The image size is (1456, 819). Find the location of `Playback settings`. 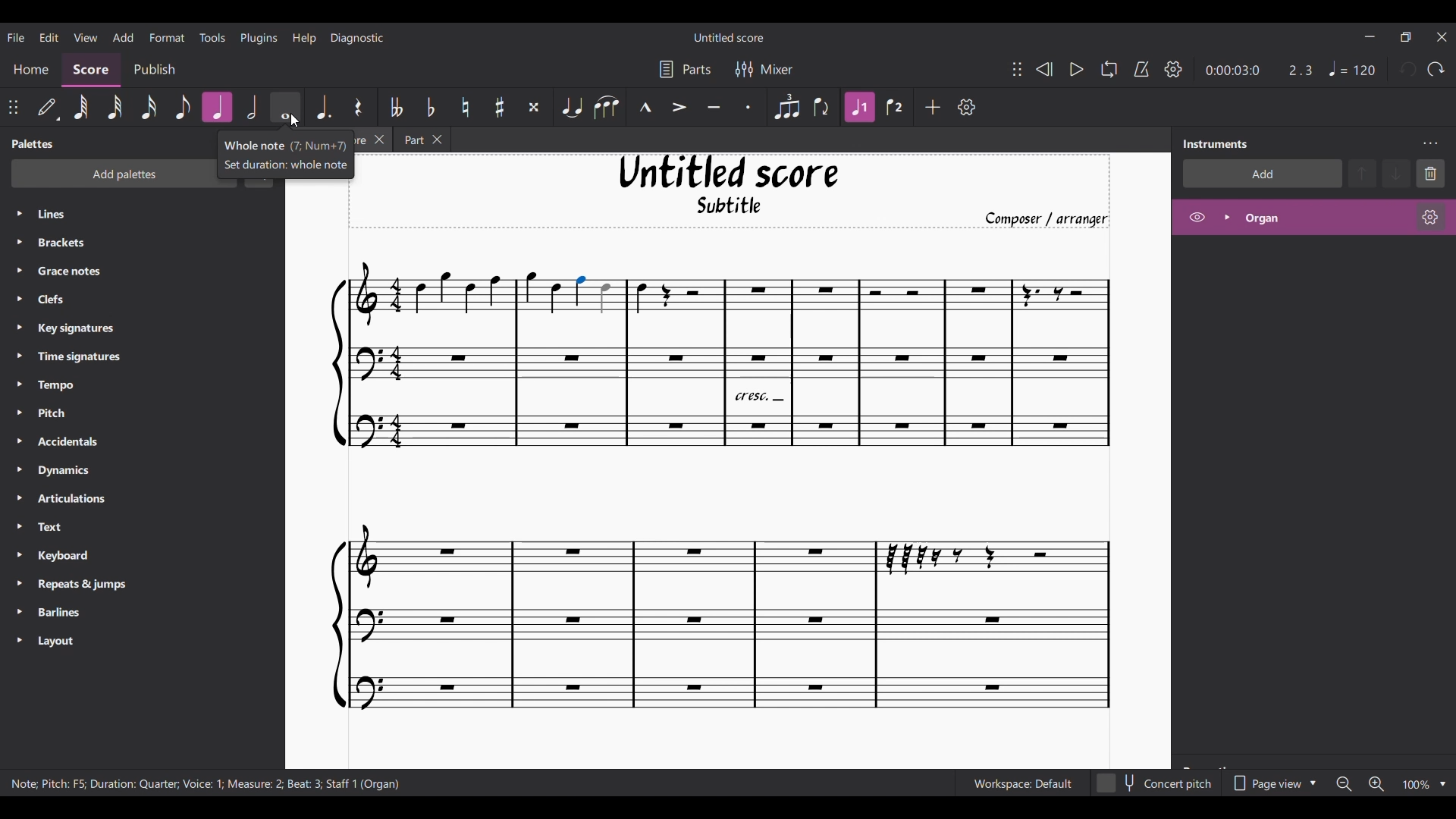

Playback settings is located at coordinates (1173, 69).